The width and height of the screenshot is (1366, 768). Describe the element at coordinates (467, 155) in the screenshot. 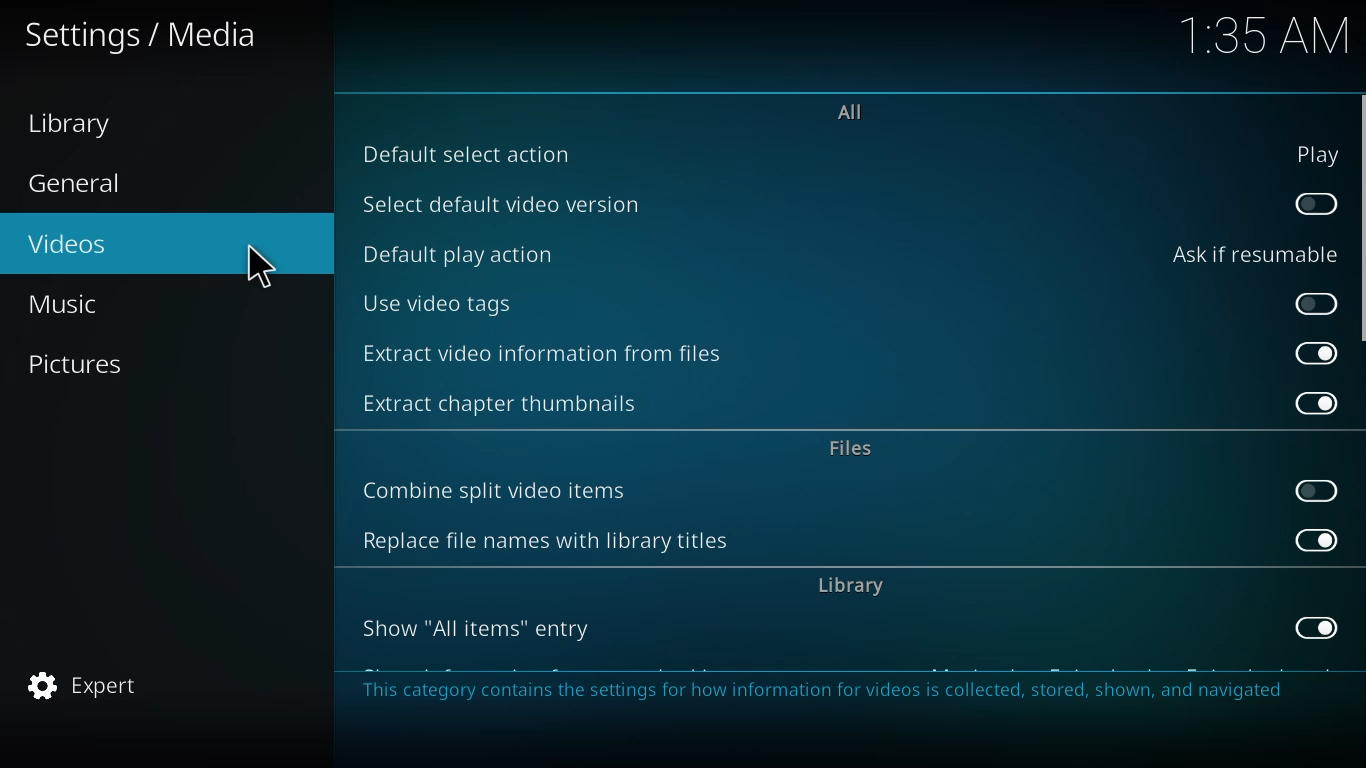

I see `default select action` at that location.